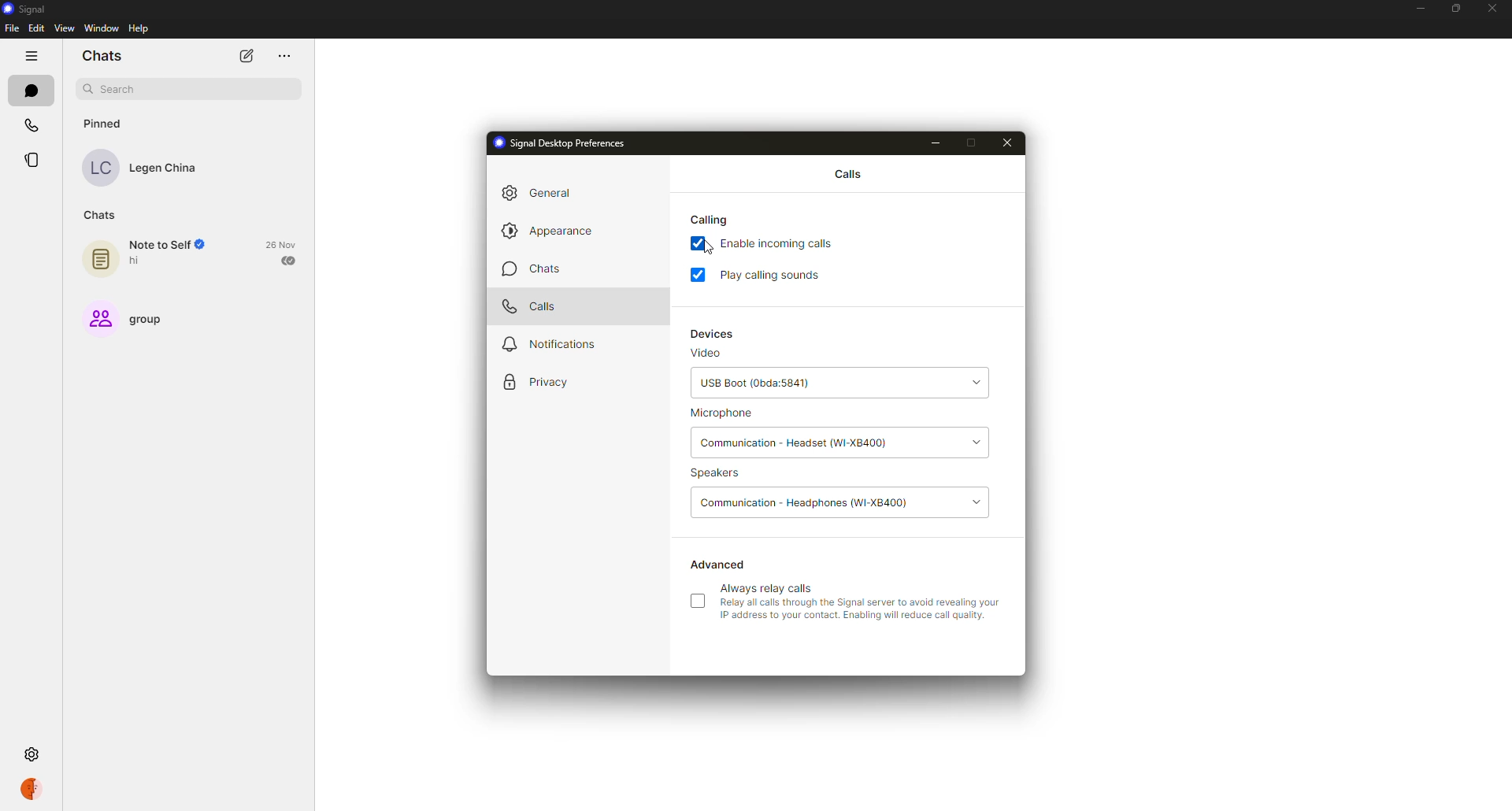 The height and width of the screenshot is (811, 1512). What do you see at coordinates (805, 502) in the screenshot?
I see `headphones` at bounding box center [805, 502].